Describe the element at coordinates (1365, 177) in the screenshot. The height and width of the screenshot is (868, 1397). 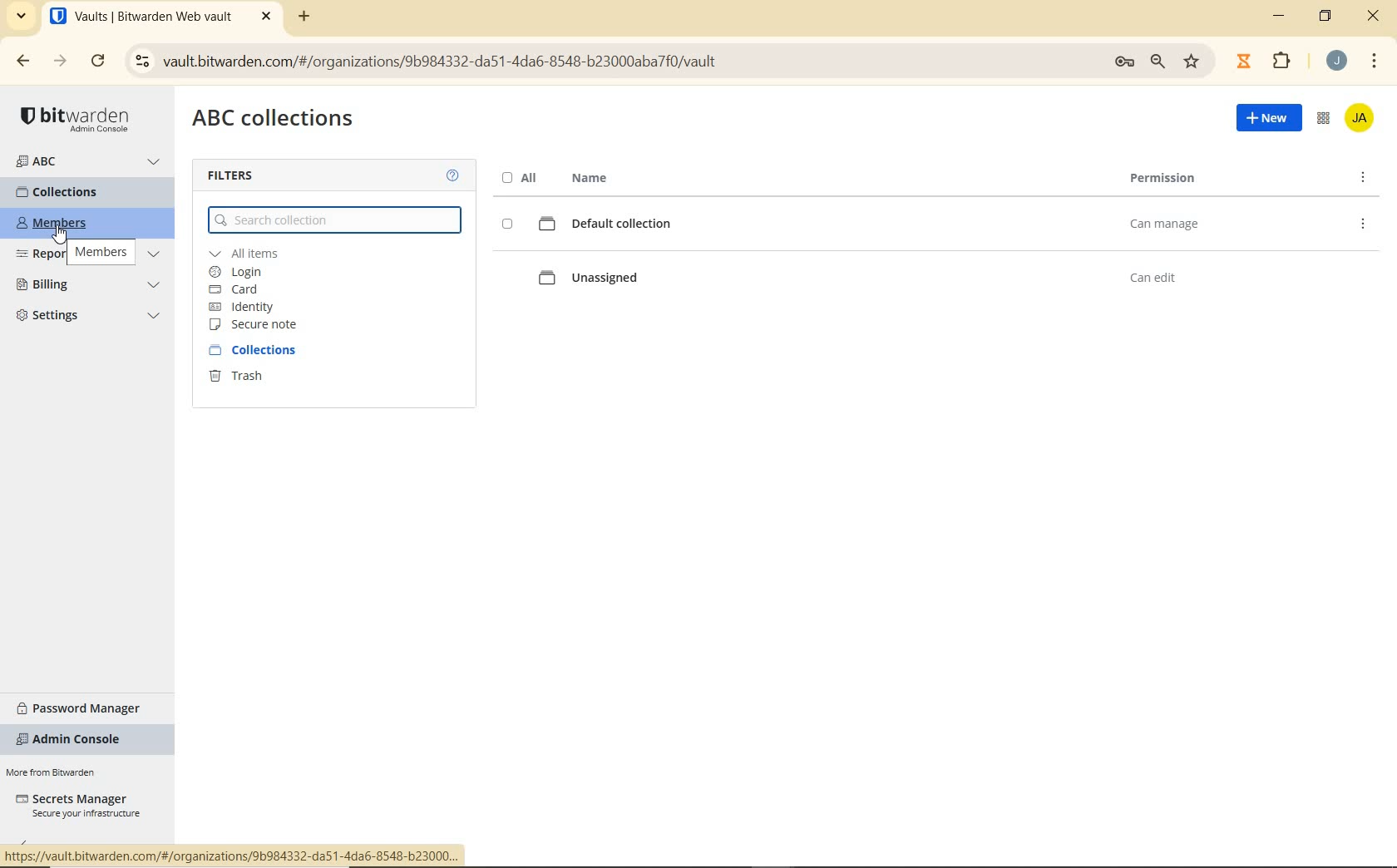
I see `OPTIONS` at that location.